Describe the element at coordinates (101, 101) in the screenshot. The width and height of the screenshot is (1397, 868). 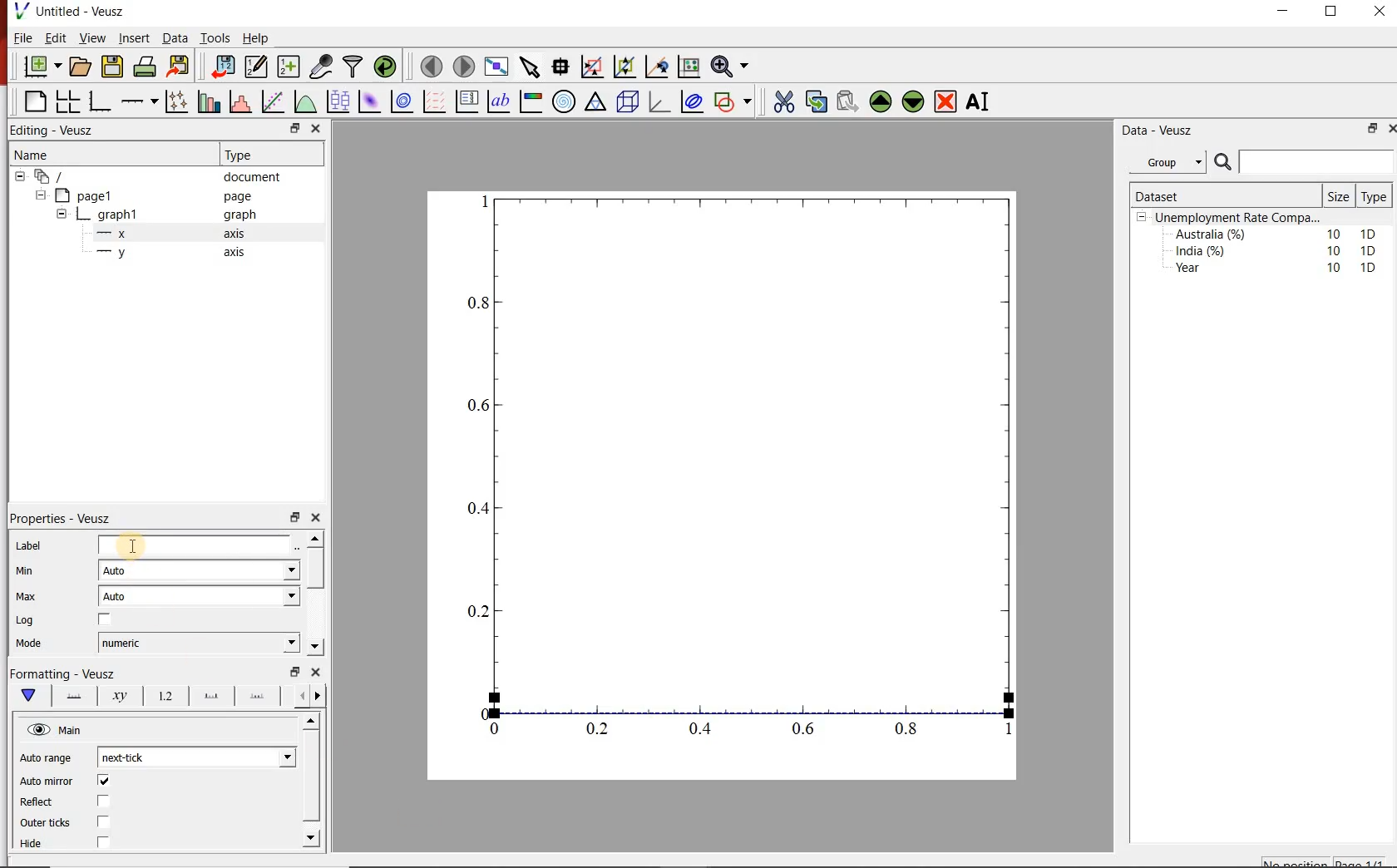
I see `base graphs` at that location.